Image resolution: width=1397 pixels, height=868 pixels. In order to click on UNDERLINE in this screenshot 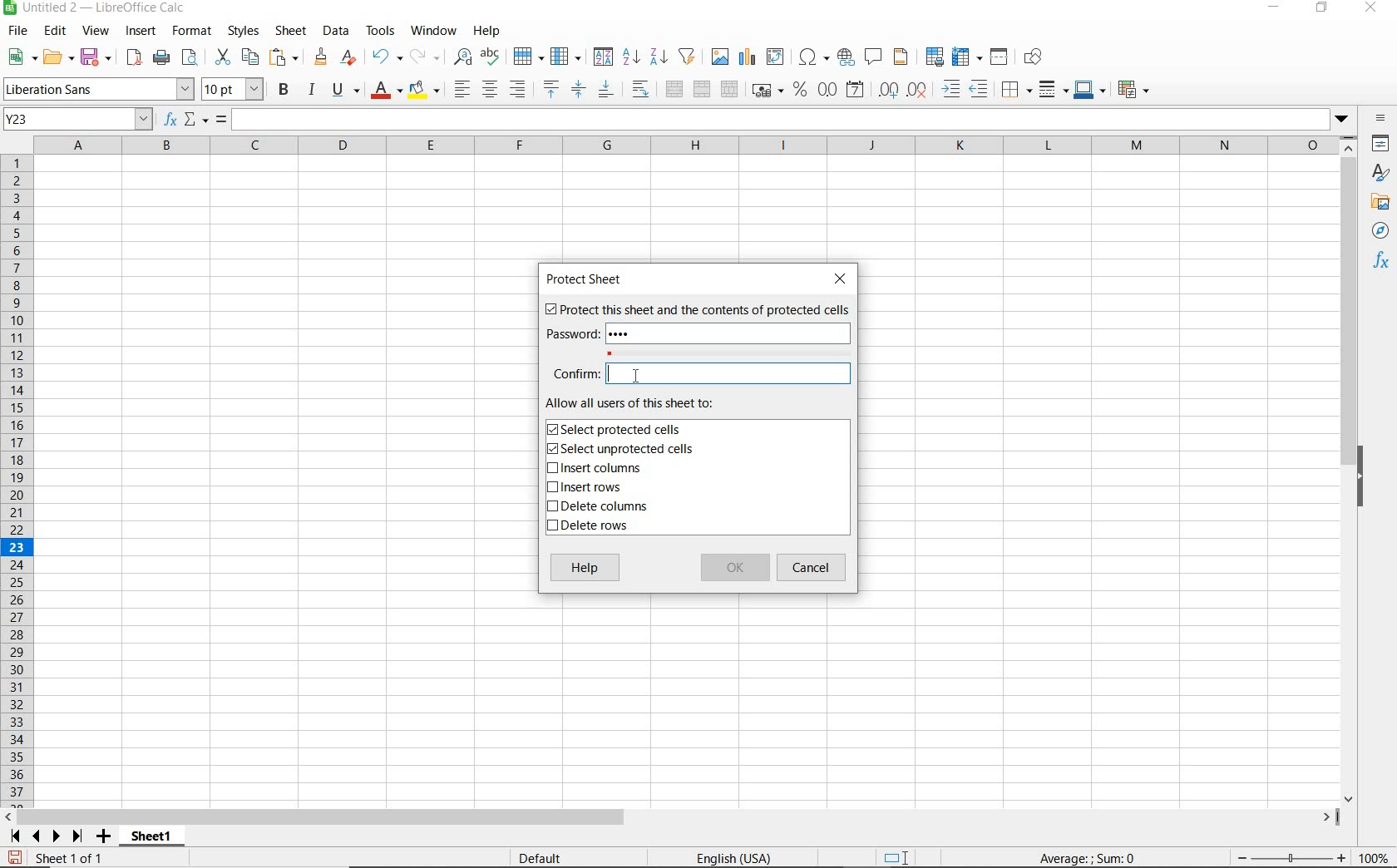, I will do `click(345, 91)`.